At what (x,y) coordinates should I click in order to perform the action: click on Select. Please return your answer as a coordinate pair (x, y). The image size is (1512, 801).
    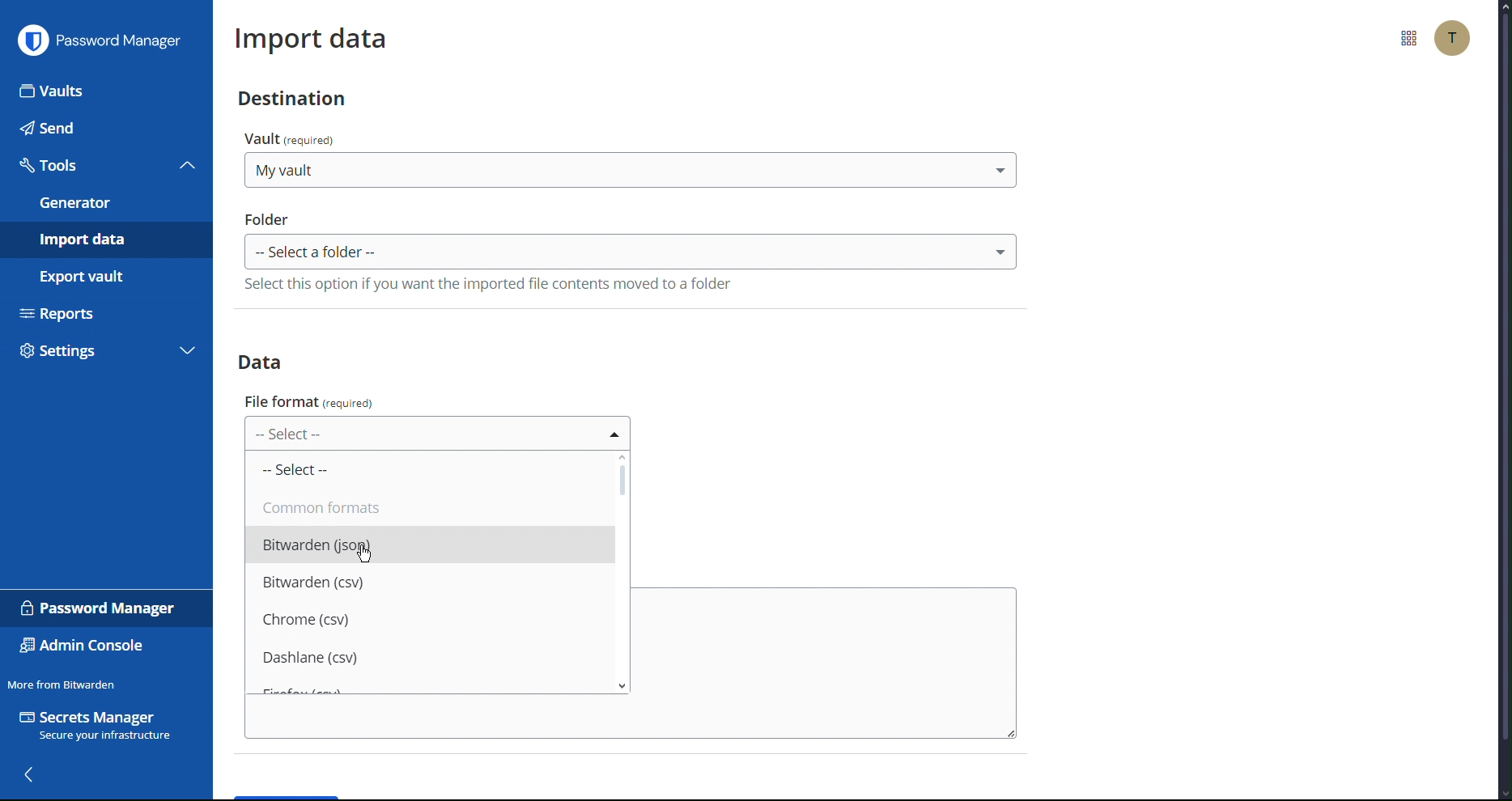
    Looking at the image, I should click on (421, 473).